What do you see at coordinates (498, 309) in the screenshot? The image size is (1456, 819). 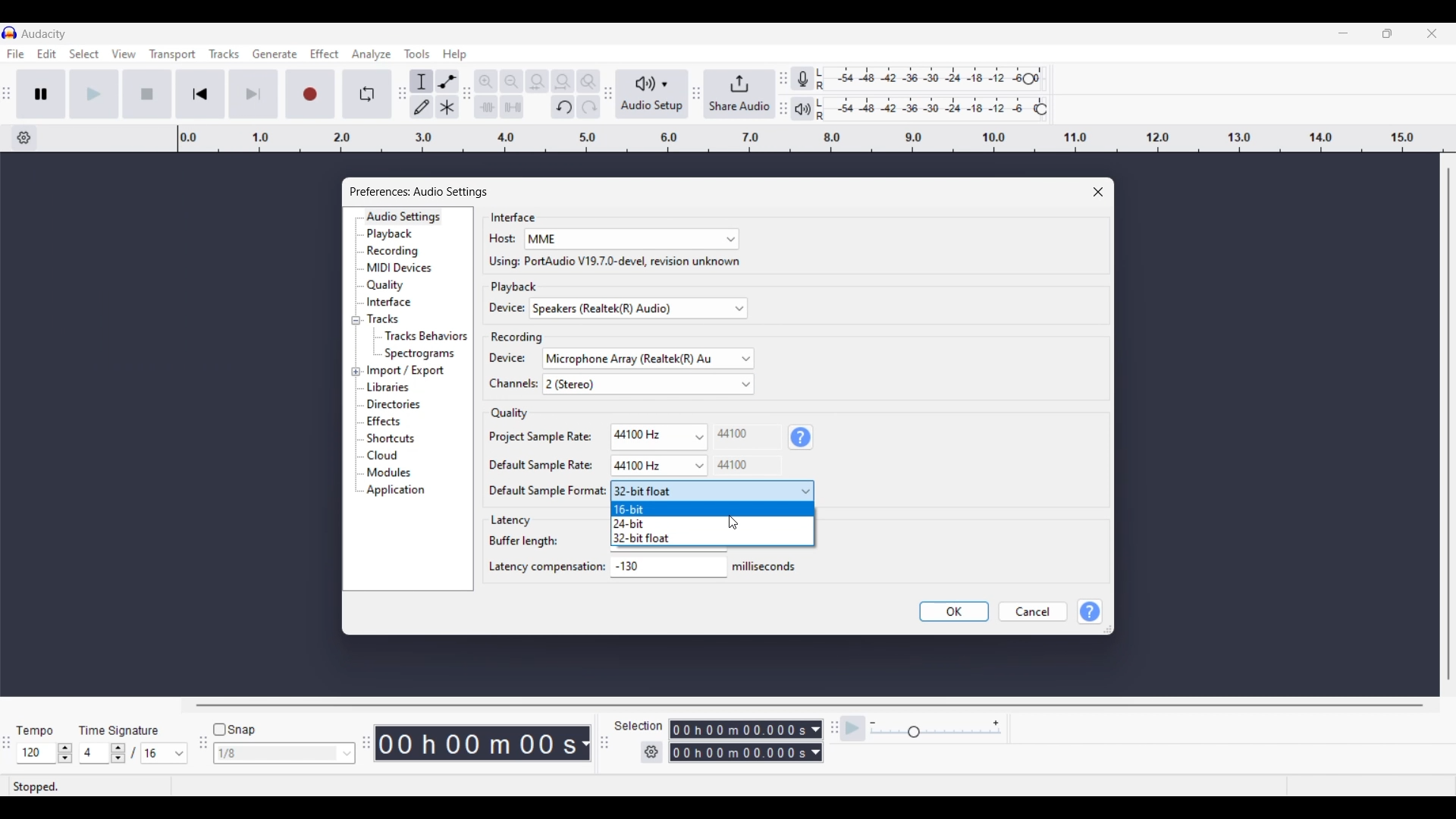 I see `Device:` at bounding box center [498, 309].